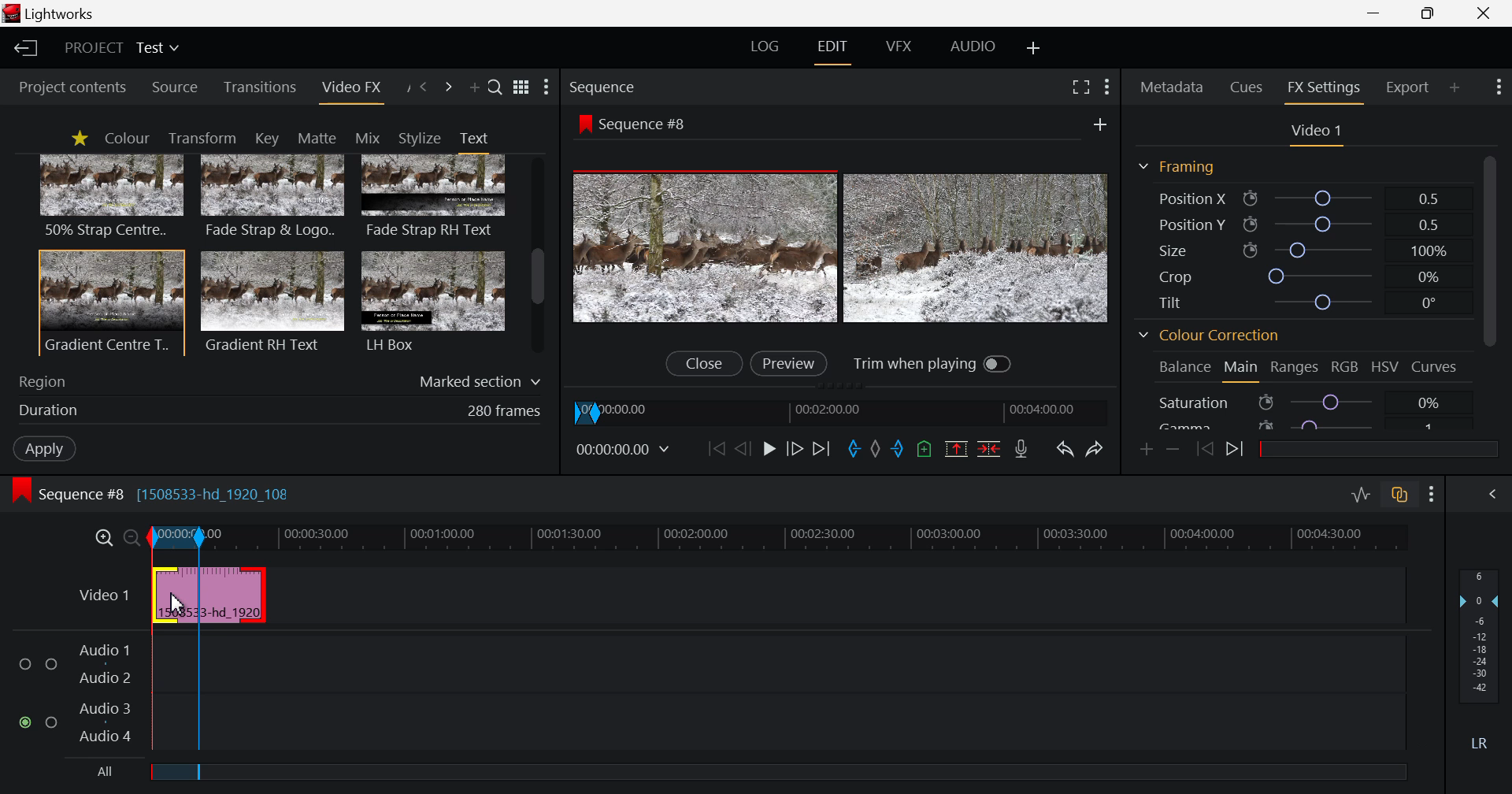 This screenshot has width=1512, height=794. I want to click on Remove marked section, so click(956, 448).